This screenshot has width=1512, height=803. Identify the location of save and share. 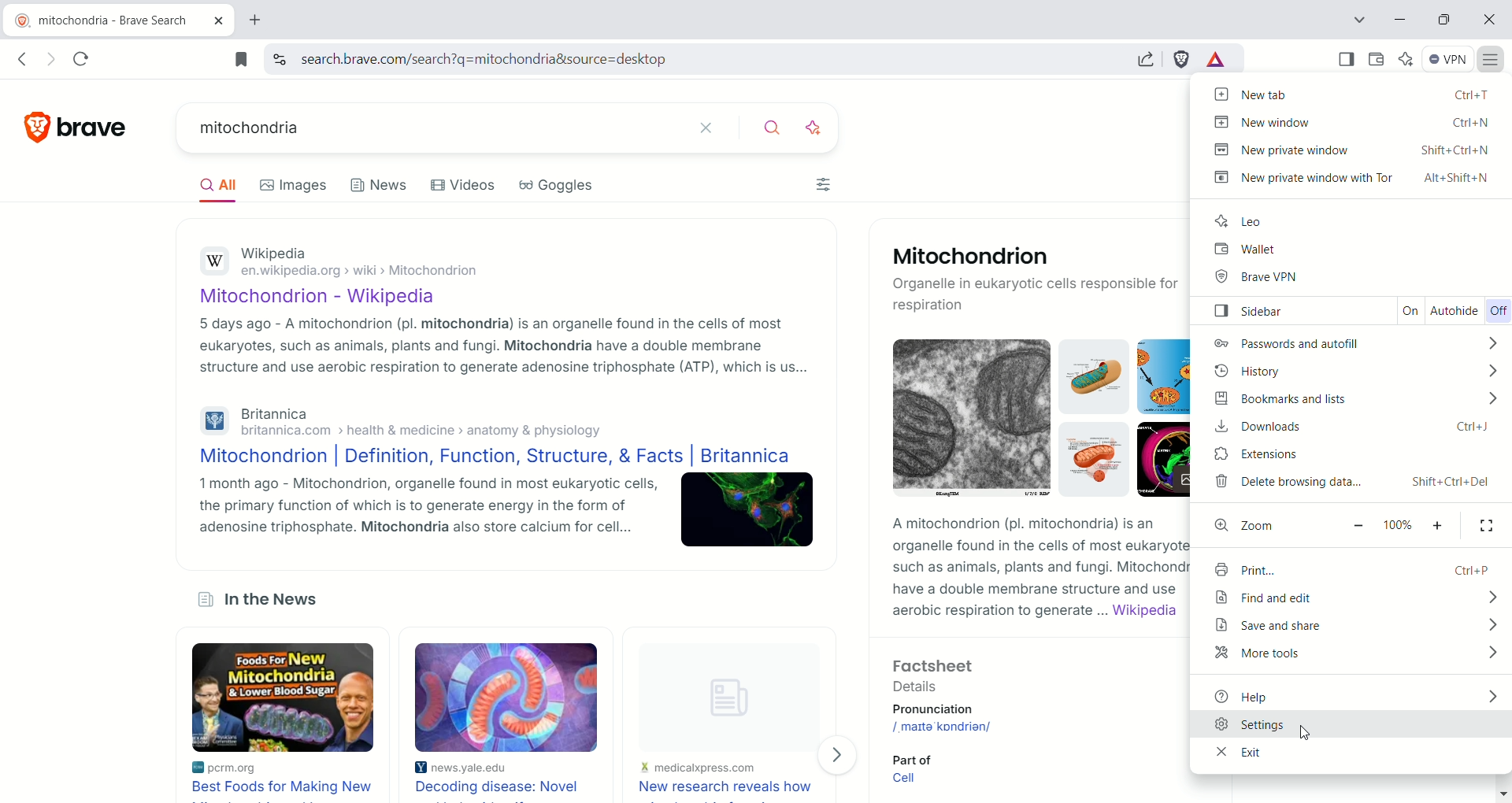
(1354, 624).